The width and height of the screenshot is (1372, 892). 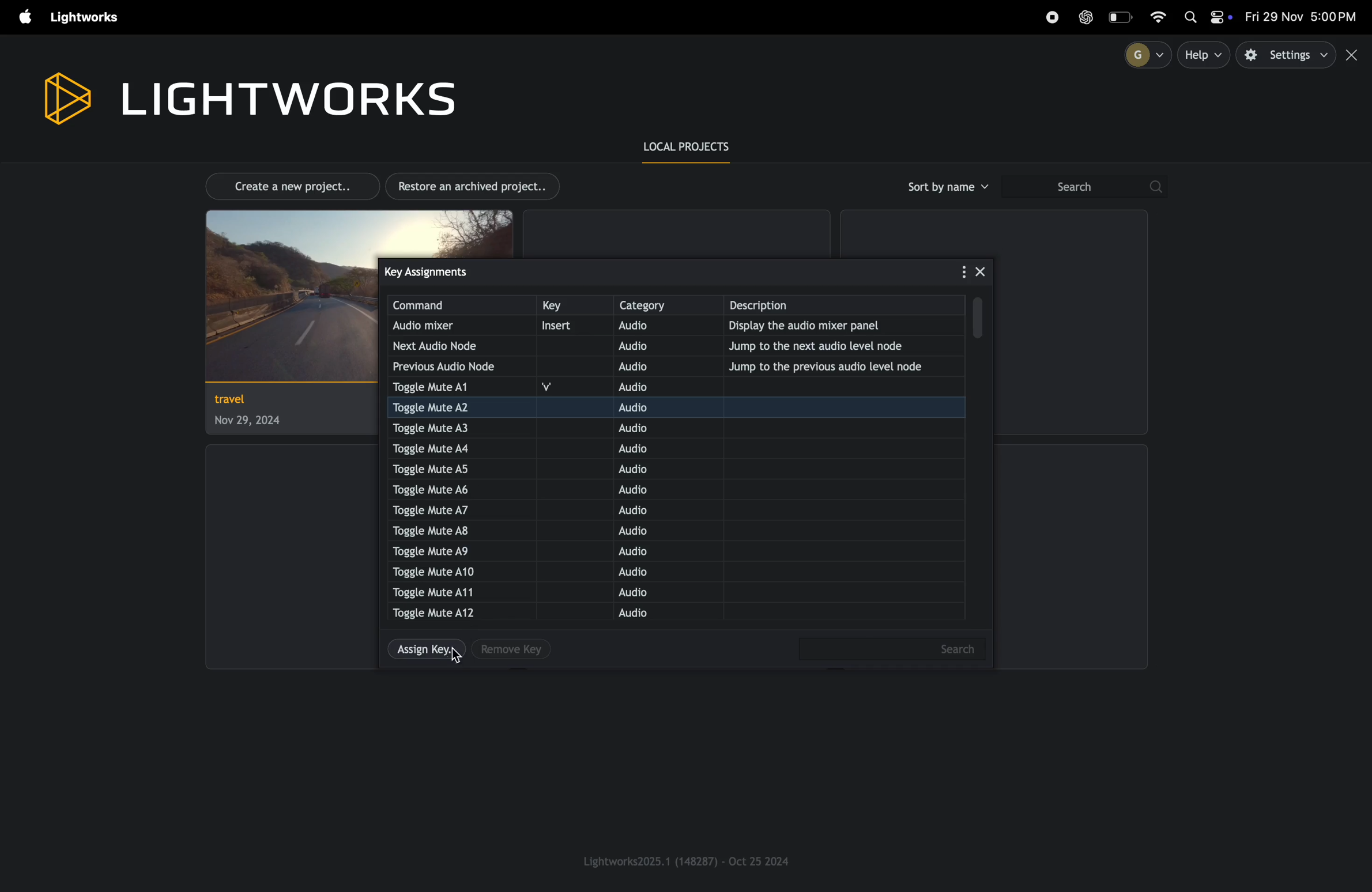 What do you see at coordinates (447, 346) in the screenshot?
I see `next audio node` at bounding box center [447, 346].